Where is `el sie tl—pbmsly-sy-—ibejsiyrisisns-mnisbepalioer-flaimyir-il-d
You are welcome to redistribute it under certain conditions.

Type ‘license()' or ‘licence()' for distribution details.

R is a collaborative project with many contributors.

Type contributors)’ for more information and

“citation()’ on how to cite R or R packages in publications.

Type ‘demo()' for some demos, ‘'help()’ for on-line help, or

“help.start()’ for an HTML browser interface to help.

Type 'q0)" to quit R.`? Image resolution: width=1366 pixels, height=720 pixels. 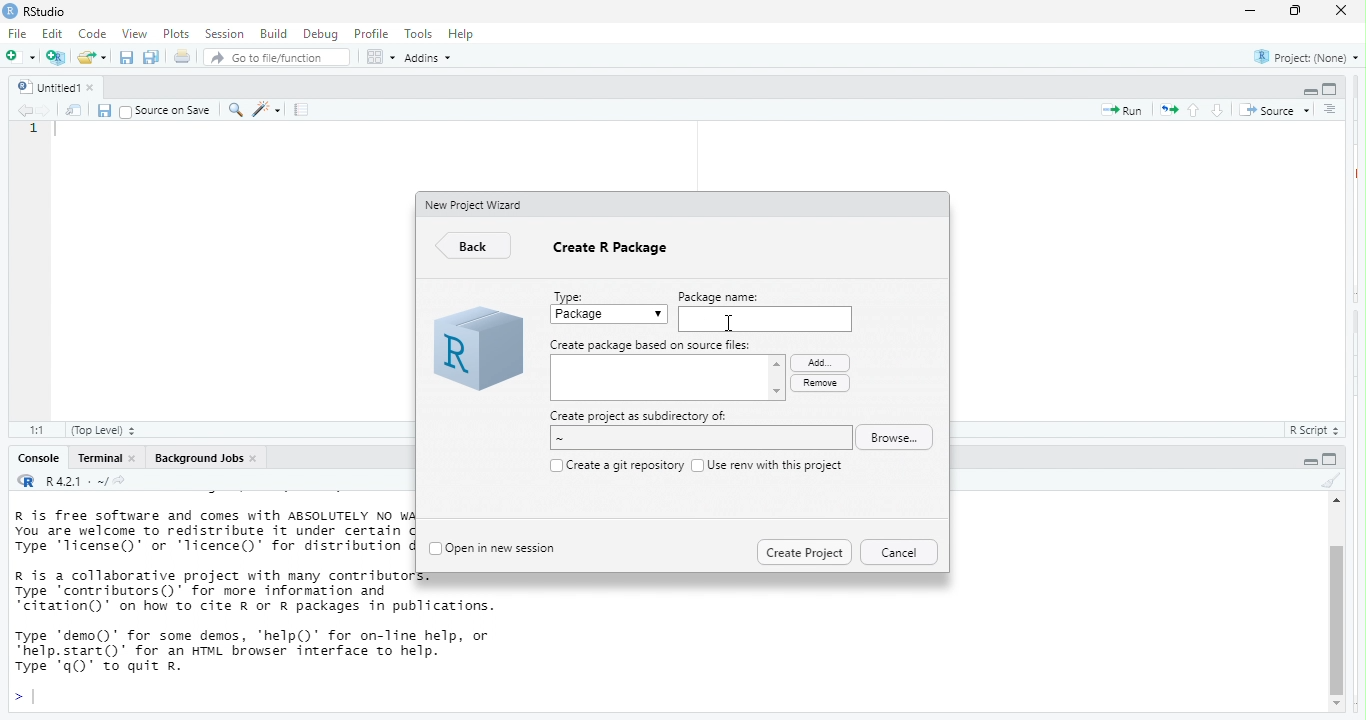 el sie tl—pbmsly-sy-—ibejsiyrisisns-mnisbepalioer-flaimyir-il-d
You are welcome to redistribute it under certain conditions.

Type ‘license()' or ‘licence()' for distribution details.

R is a collaborative project with many contributors.

Type contributors)’ for more information and

“citation()’ on how to cite R or R packages in publications.

Type ‘demo()' for some demos, ‘'help()’ for on-line help, or

“help.start()’ for an HTML browser interface to help.

Type 'q0)" to quit R. is located at coordinates (213, 598).